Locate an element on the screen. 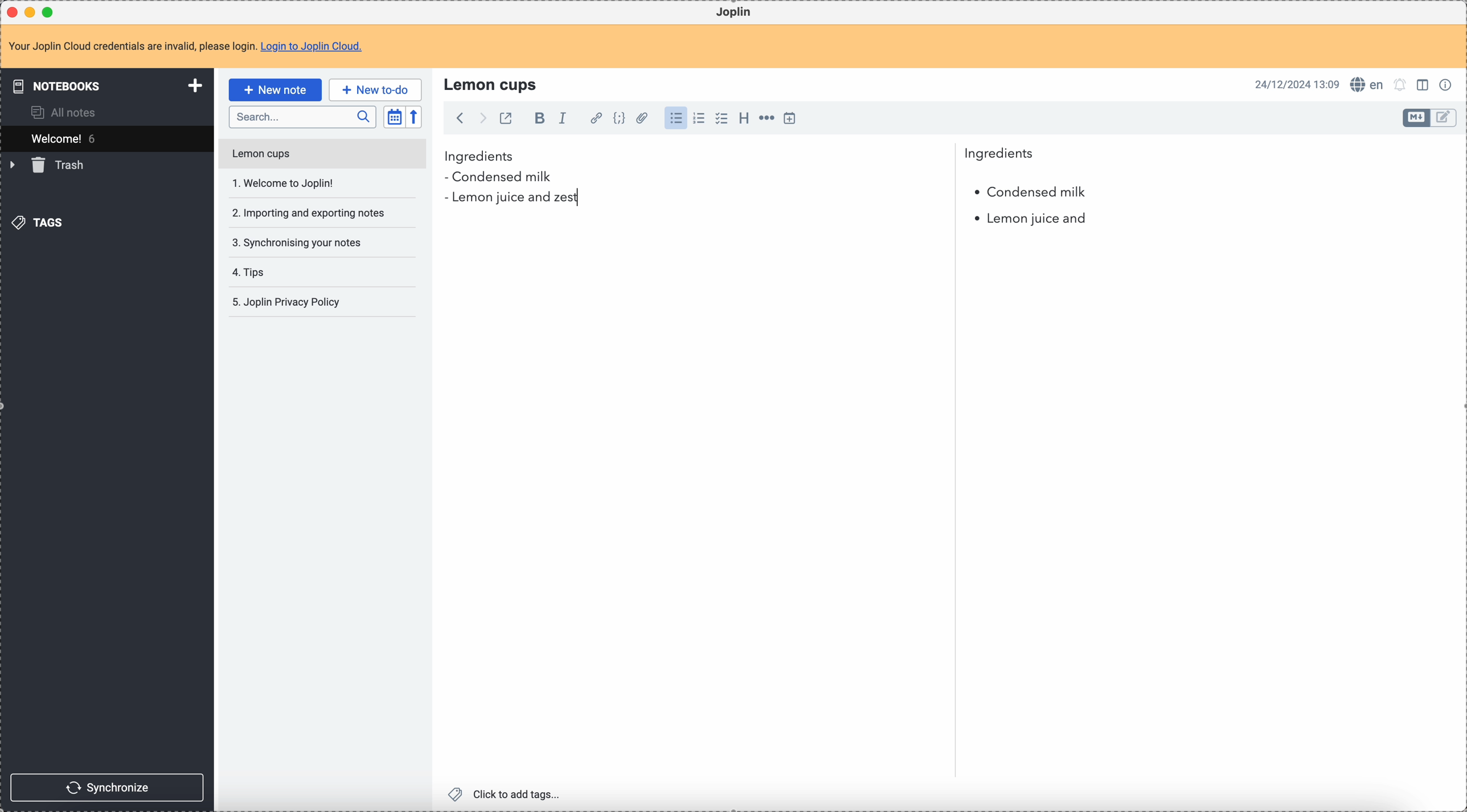 The image size is (1467, 812). bulleted list is located at coordinates (674, 118).